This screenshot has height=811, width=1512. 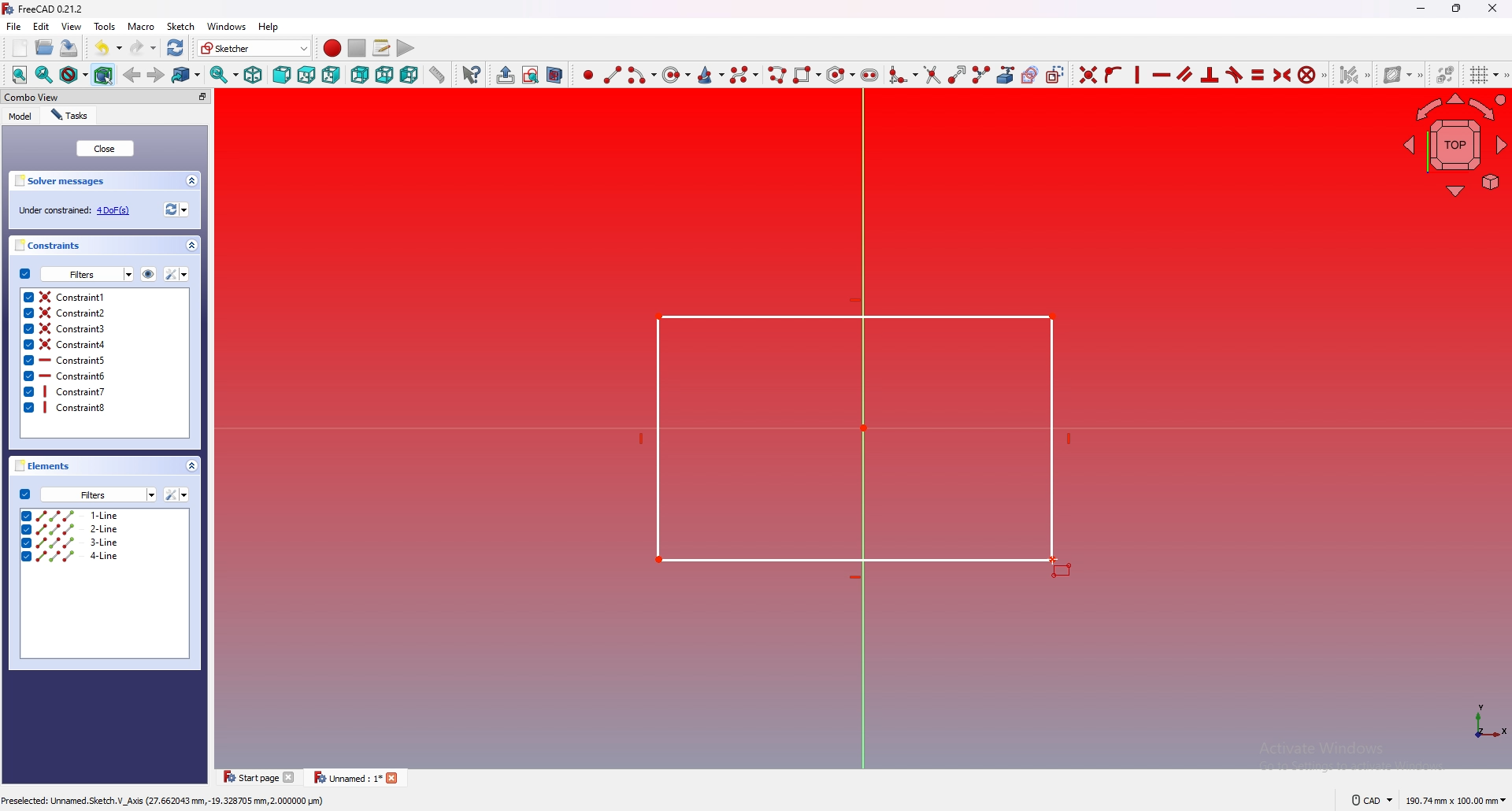 What do you see at coordinates (1055, 74) in the screenshot?
I see `toggle construction geometry` at bounding box center [1055, 74].